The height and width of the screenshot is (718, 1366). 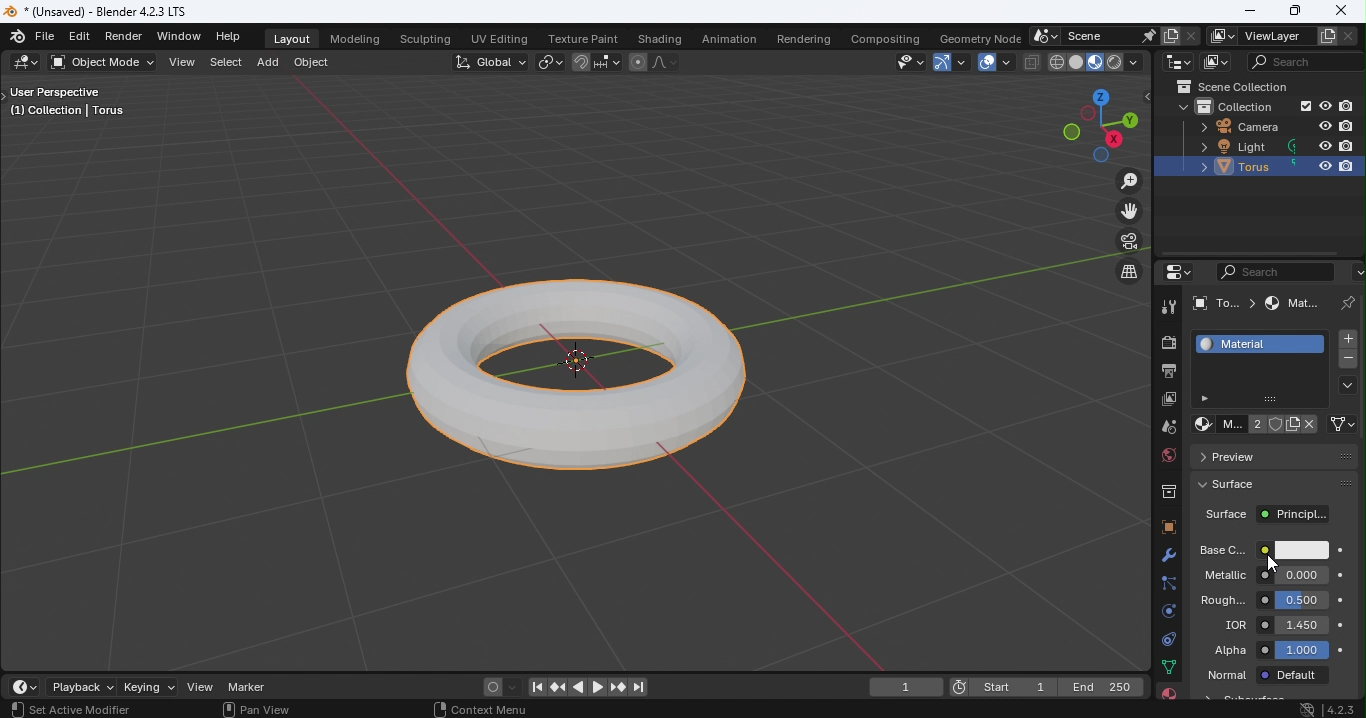 What do you see at coordinates (1029, 62) in the screenshot?
I see `Toggle X-ray` at bounding box center [1029, 62].